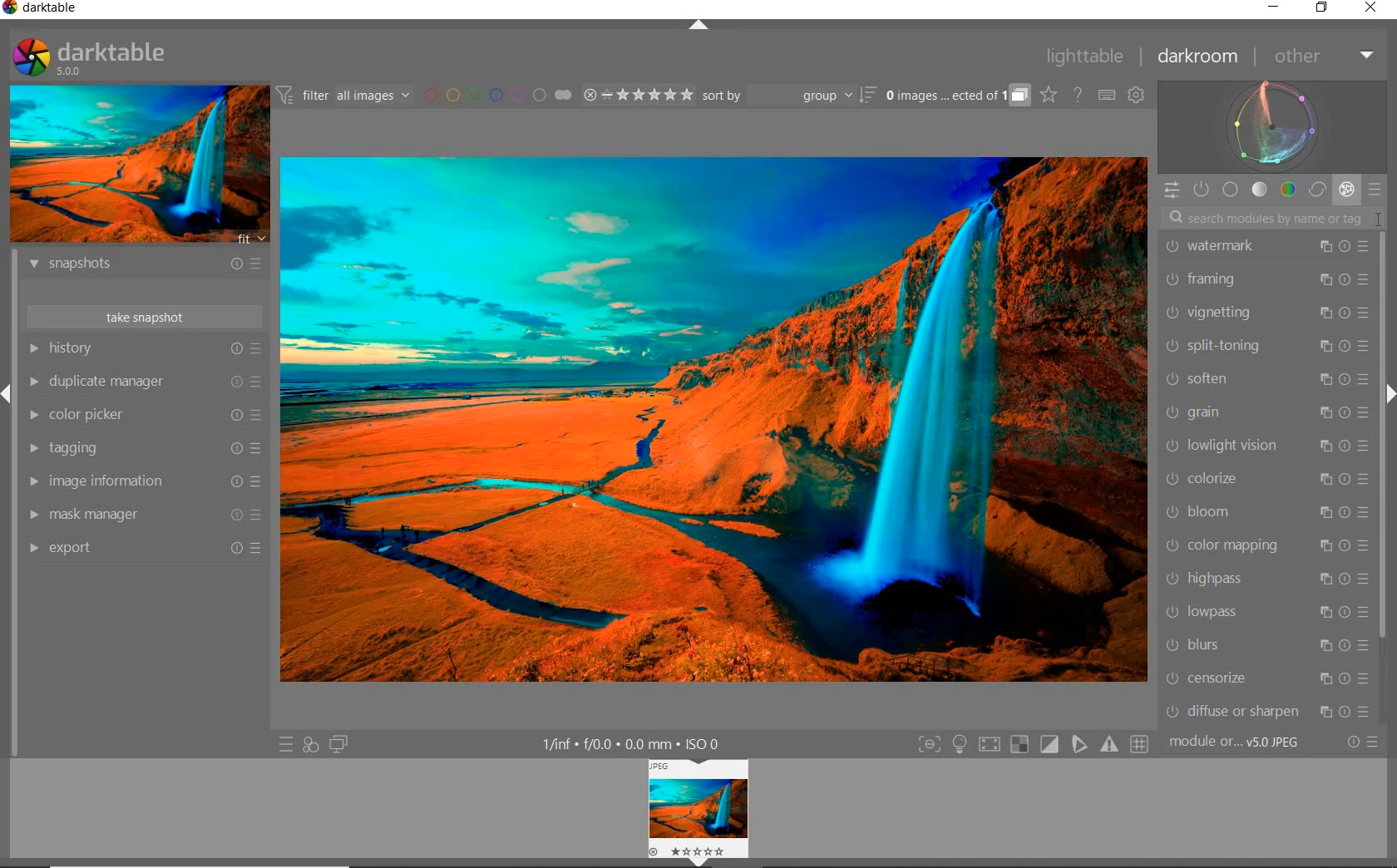 The height and width of the screenshot is (868, 1397). I want to click on Expand/Collapse, so click(1389, 395).